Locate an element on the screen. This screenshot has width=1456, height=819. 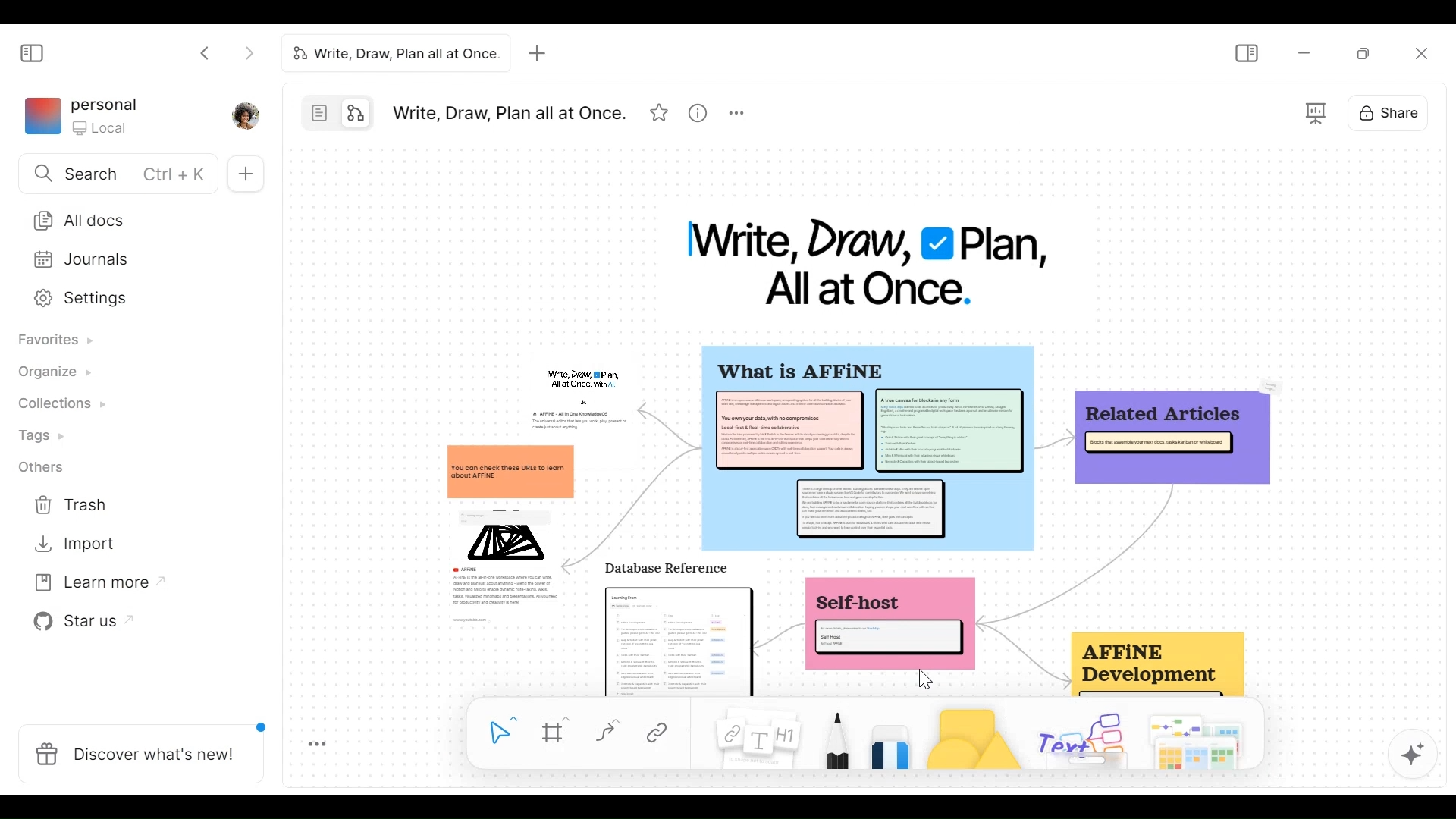
Profile photo is located at coordinates (245, 114).